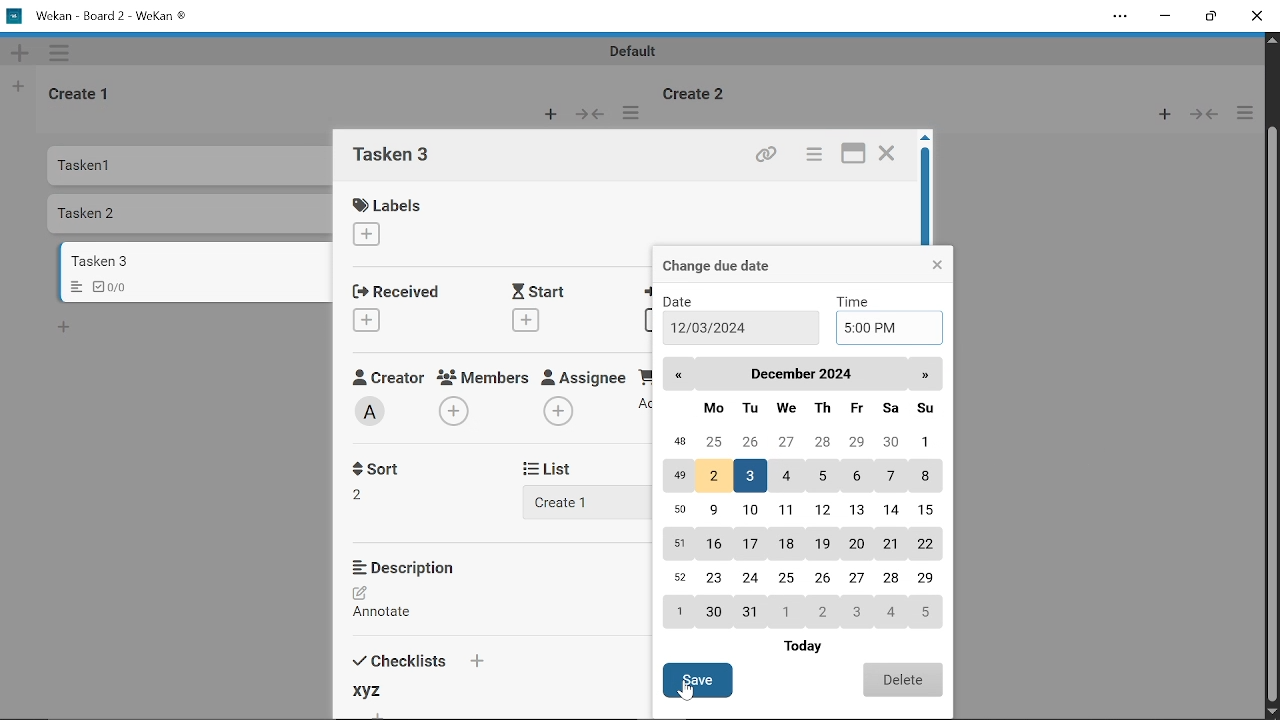 This screenshot has height=720, width=1280. What do you see at coordinates (100, 15) in the screenshot?
I see `Wekan - Board 2 -WeKan` at bounding box center [100, 15].